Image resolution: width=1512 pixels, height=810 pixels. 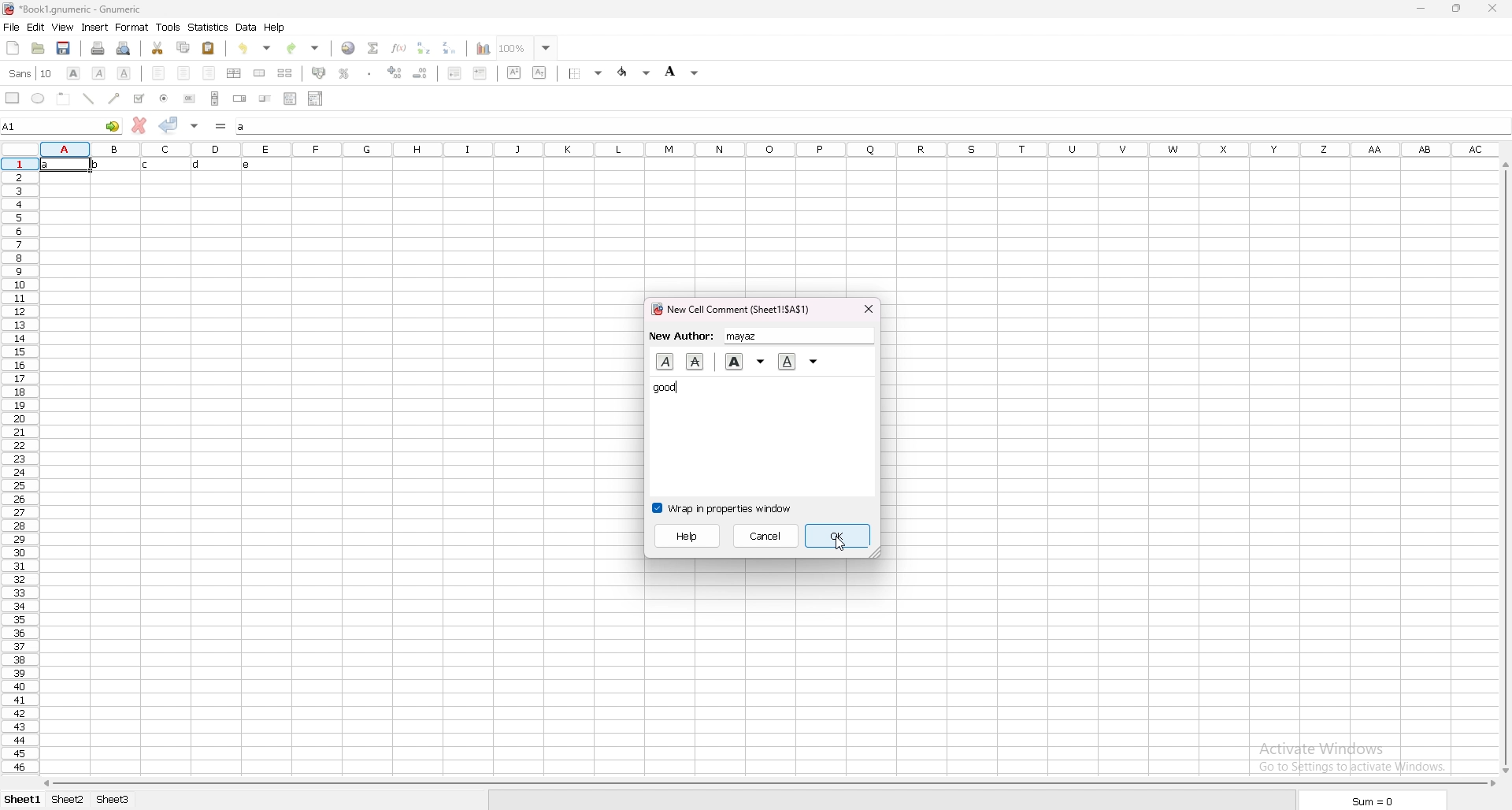 I want to click on cell comment, so click(x=733, y=310).